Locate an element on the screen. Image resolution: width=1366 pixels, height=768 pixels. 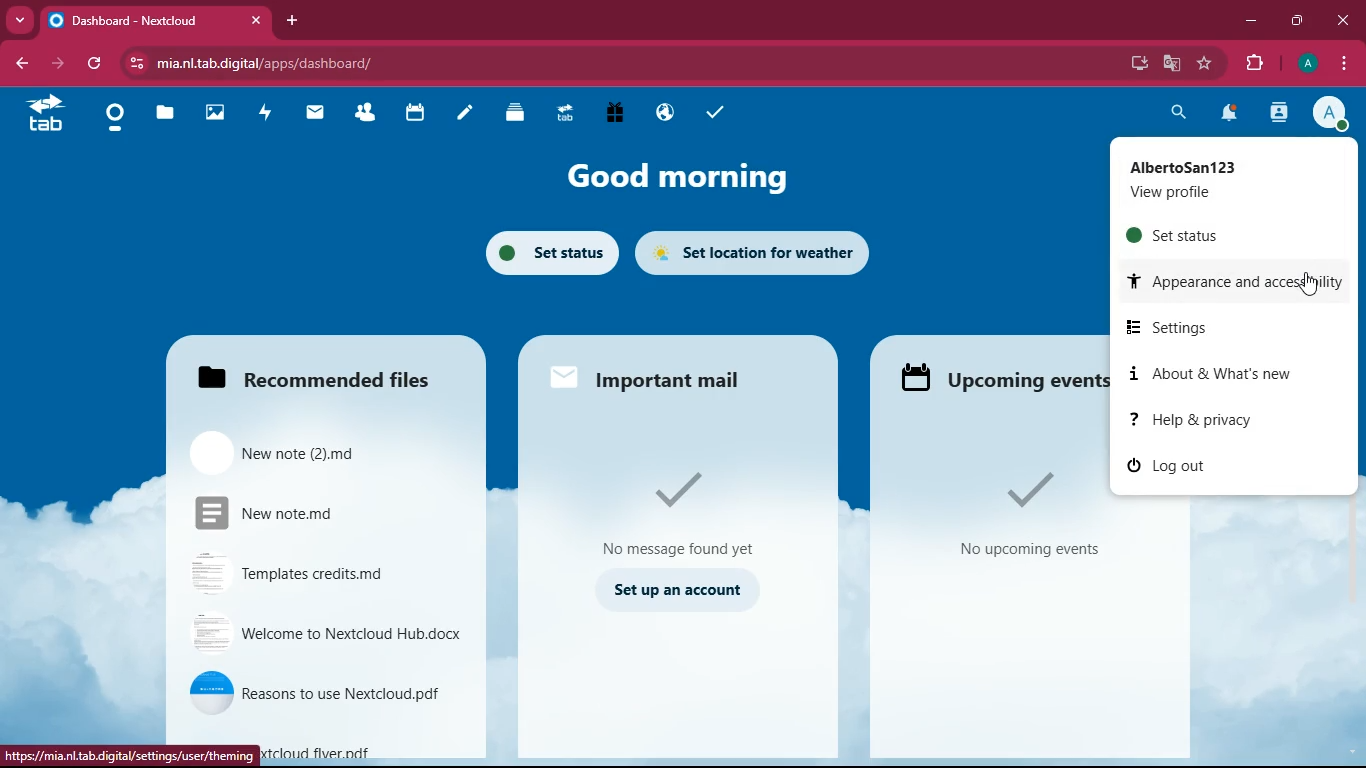
activity is located at coordinates (266, 114).